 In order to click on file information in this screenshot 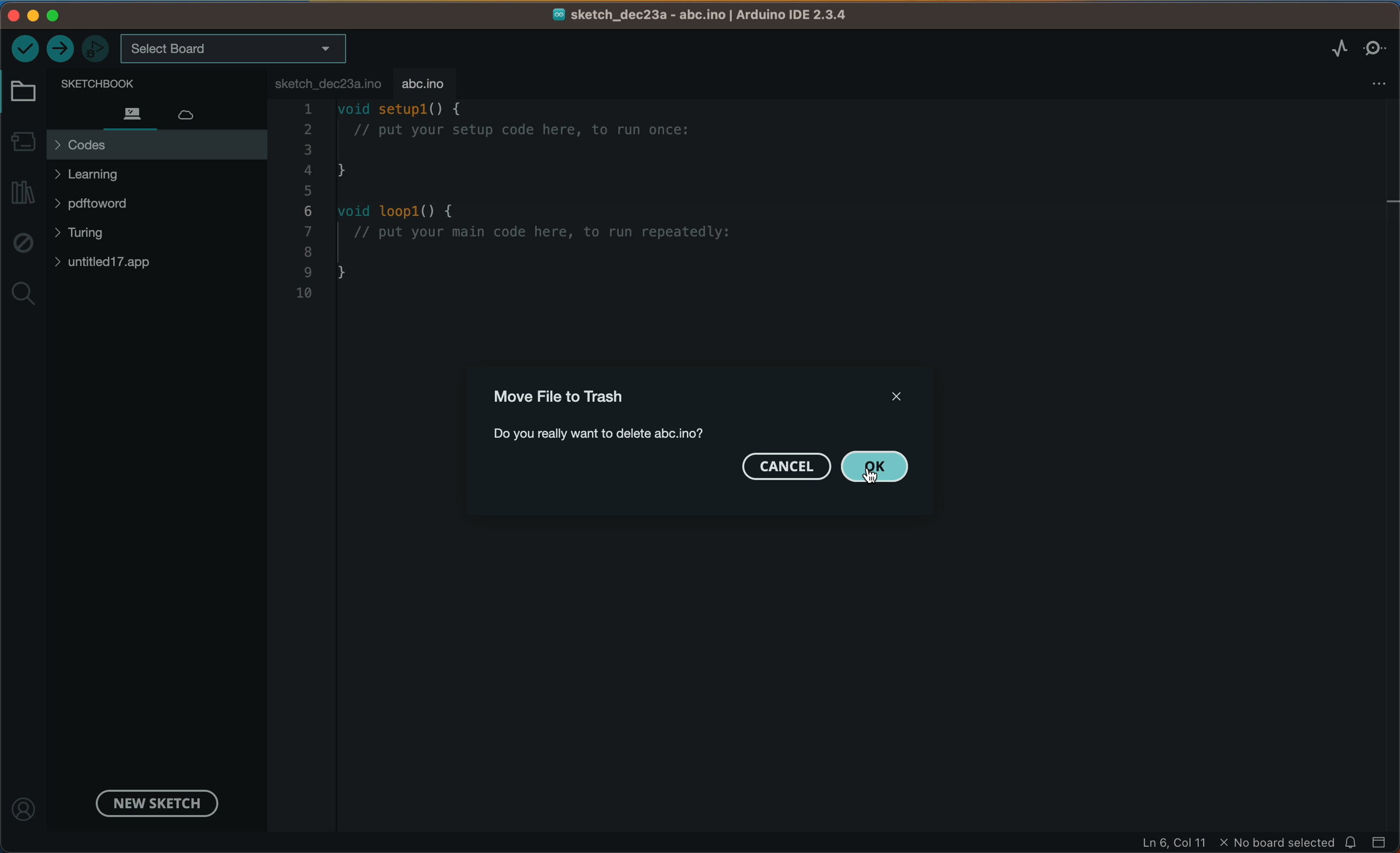, I will do `click(1234, 842)`.